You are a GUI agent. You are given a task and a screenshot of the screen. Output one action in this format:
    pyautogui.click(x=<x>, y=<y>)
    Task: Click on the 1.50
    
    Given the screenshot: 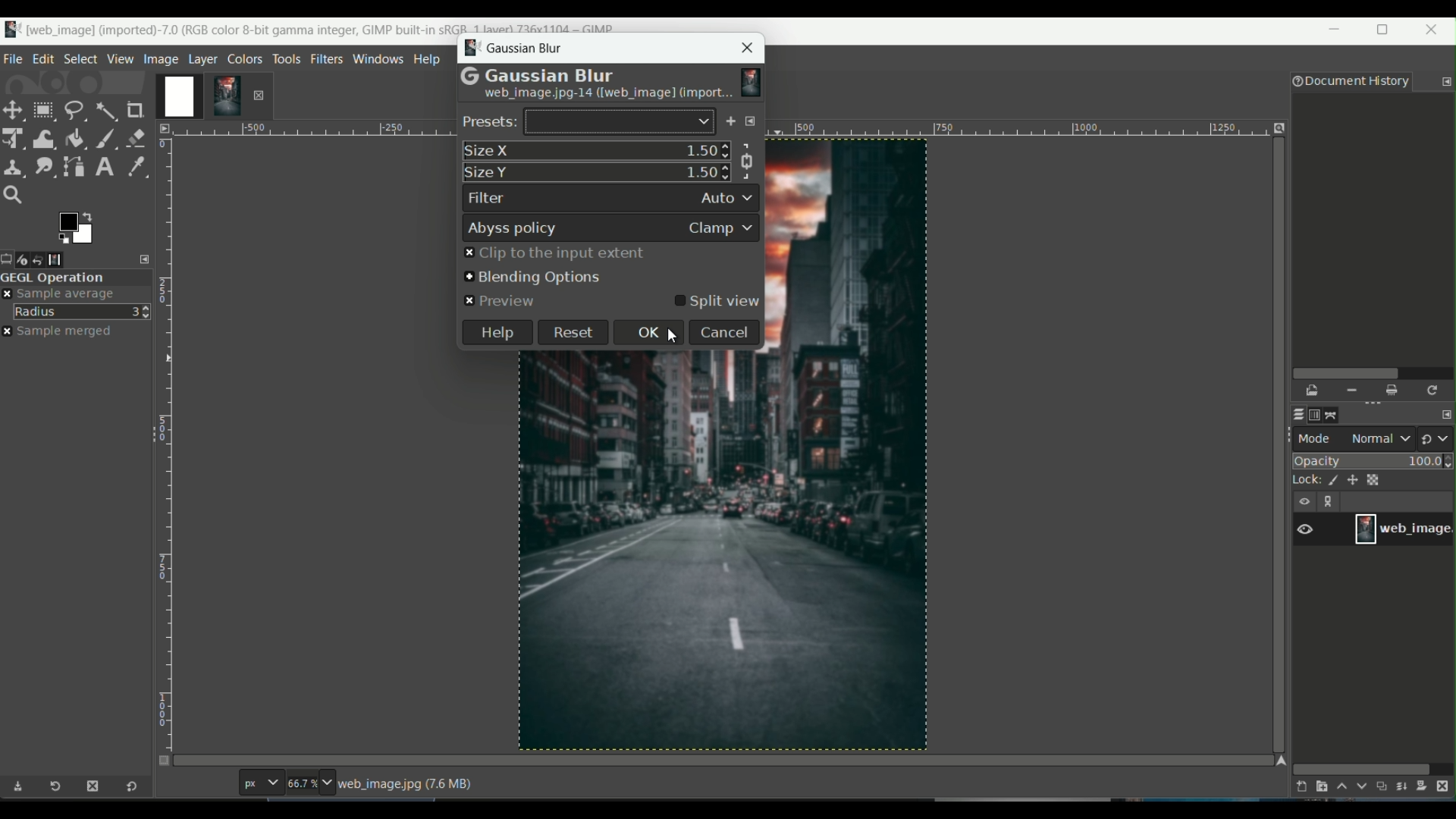 What is the action you would take?
    pyautogui.click(x=700, y=149)
    